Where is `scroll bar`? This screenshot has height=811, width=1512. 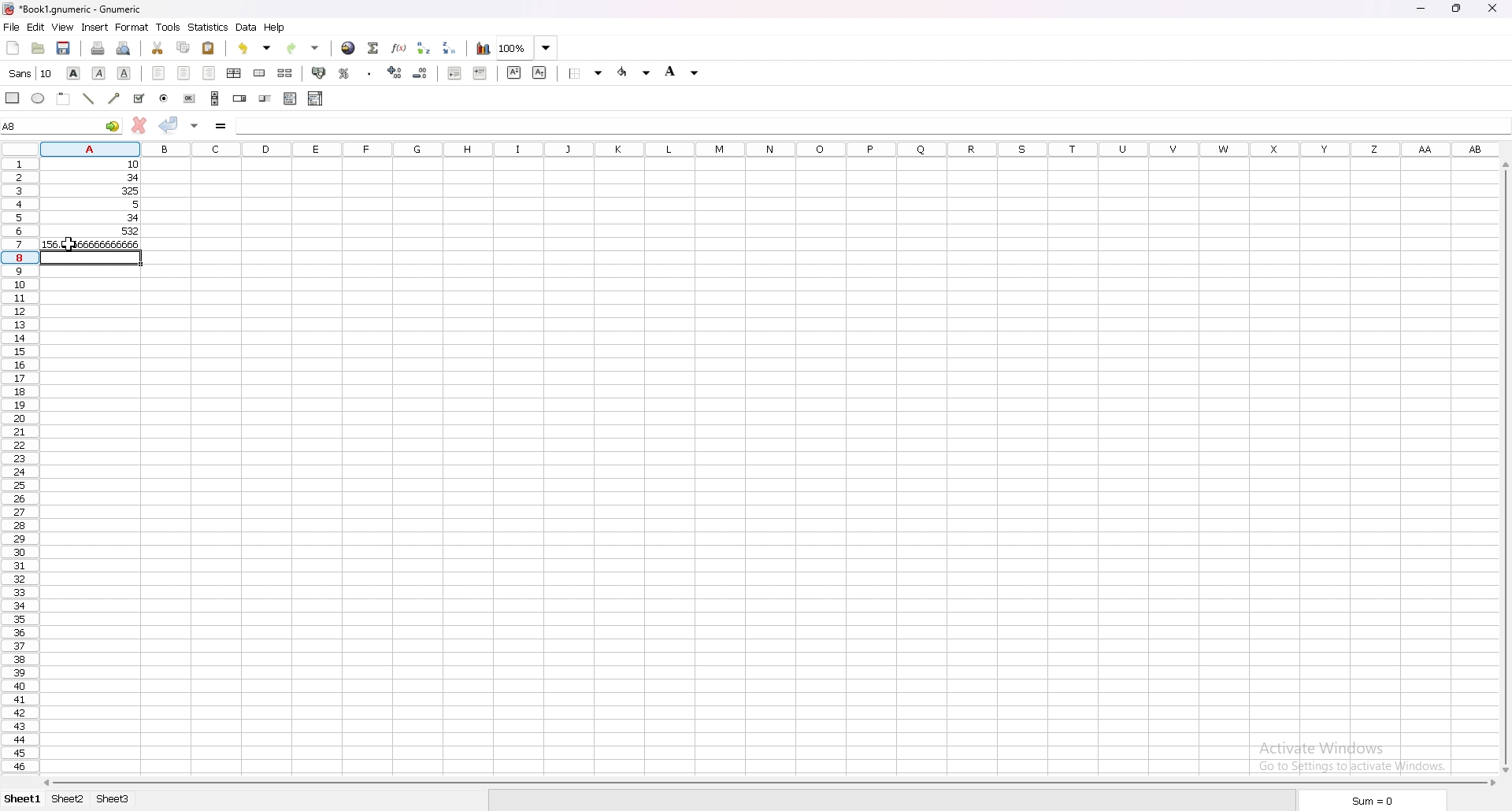 scroll bar is located at coordinates (1504, 466).